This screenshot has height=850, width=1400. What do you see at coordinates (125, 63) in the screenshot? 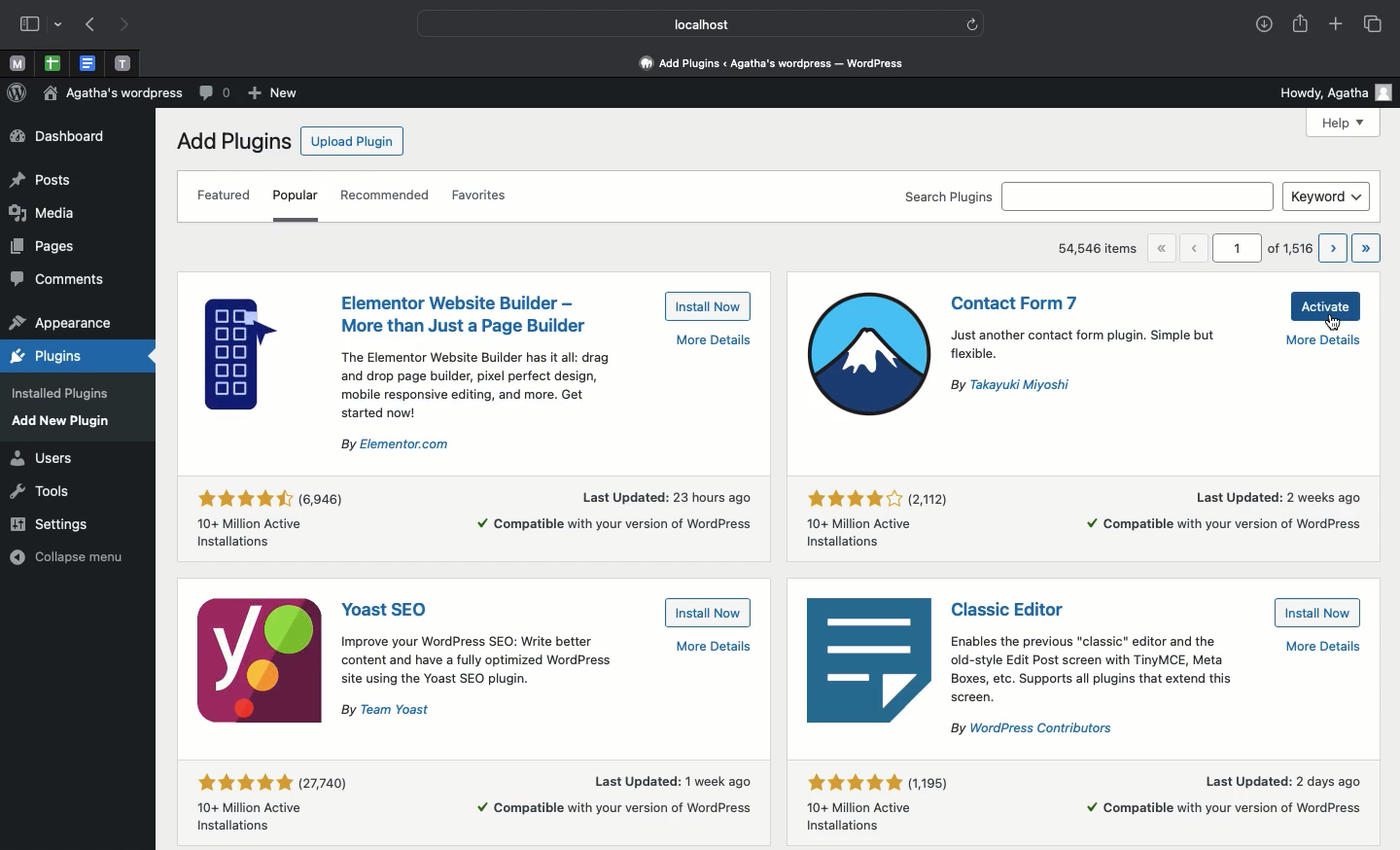
I see `Pinned tabs` at bounding box center [125, 63].